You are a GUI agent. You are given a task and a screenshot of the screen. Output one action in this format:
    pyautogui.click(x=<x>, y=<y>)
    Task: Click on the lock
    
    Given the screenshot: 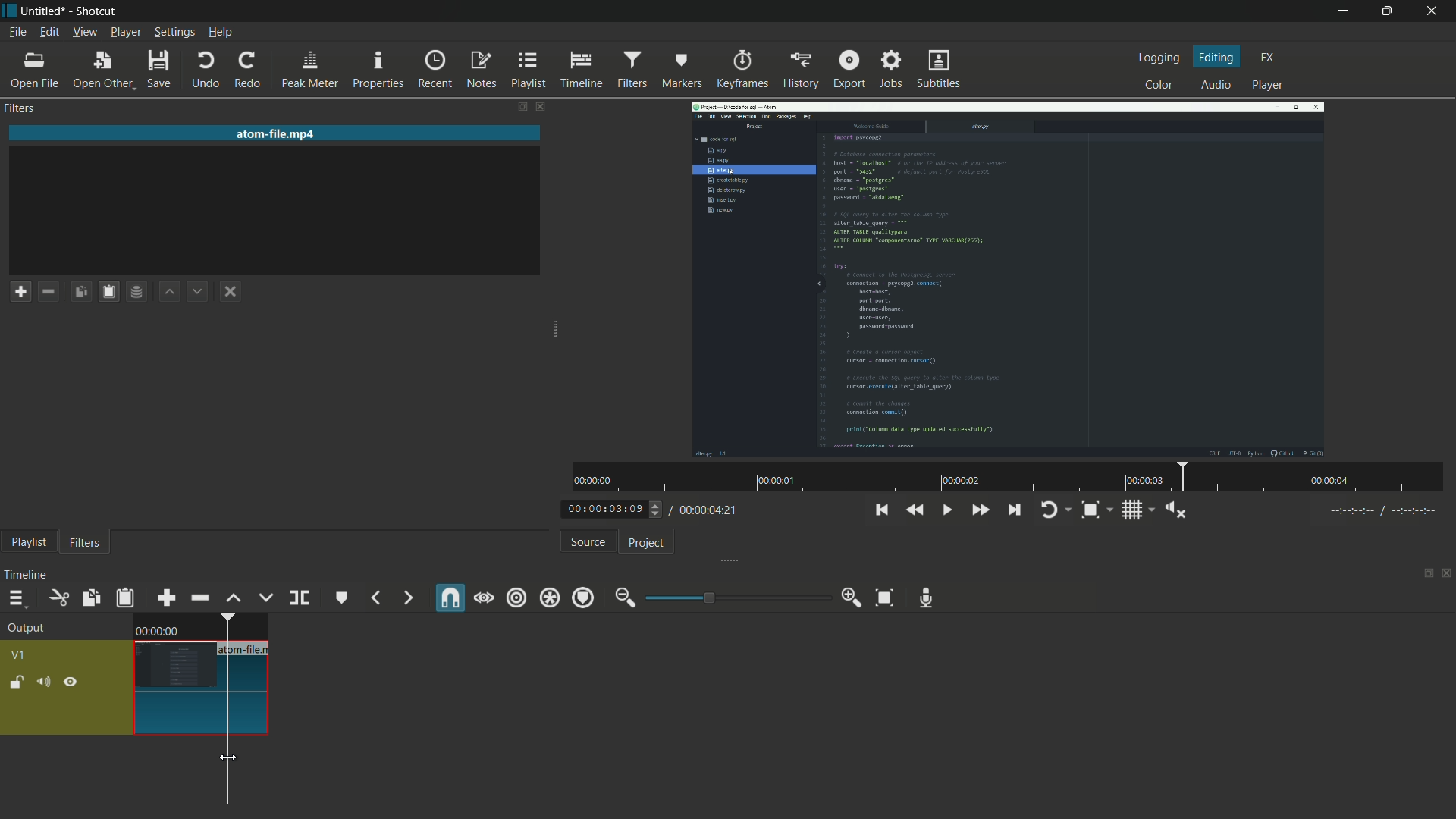 What is the action you would take?
    pyautogui.click(x=16, y=684)
    